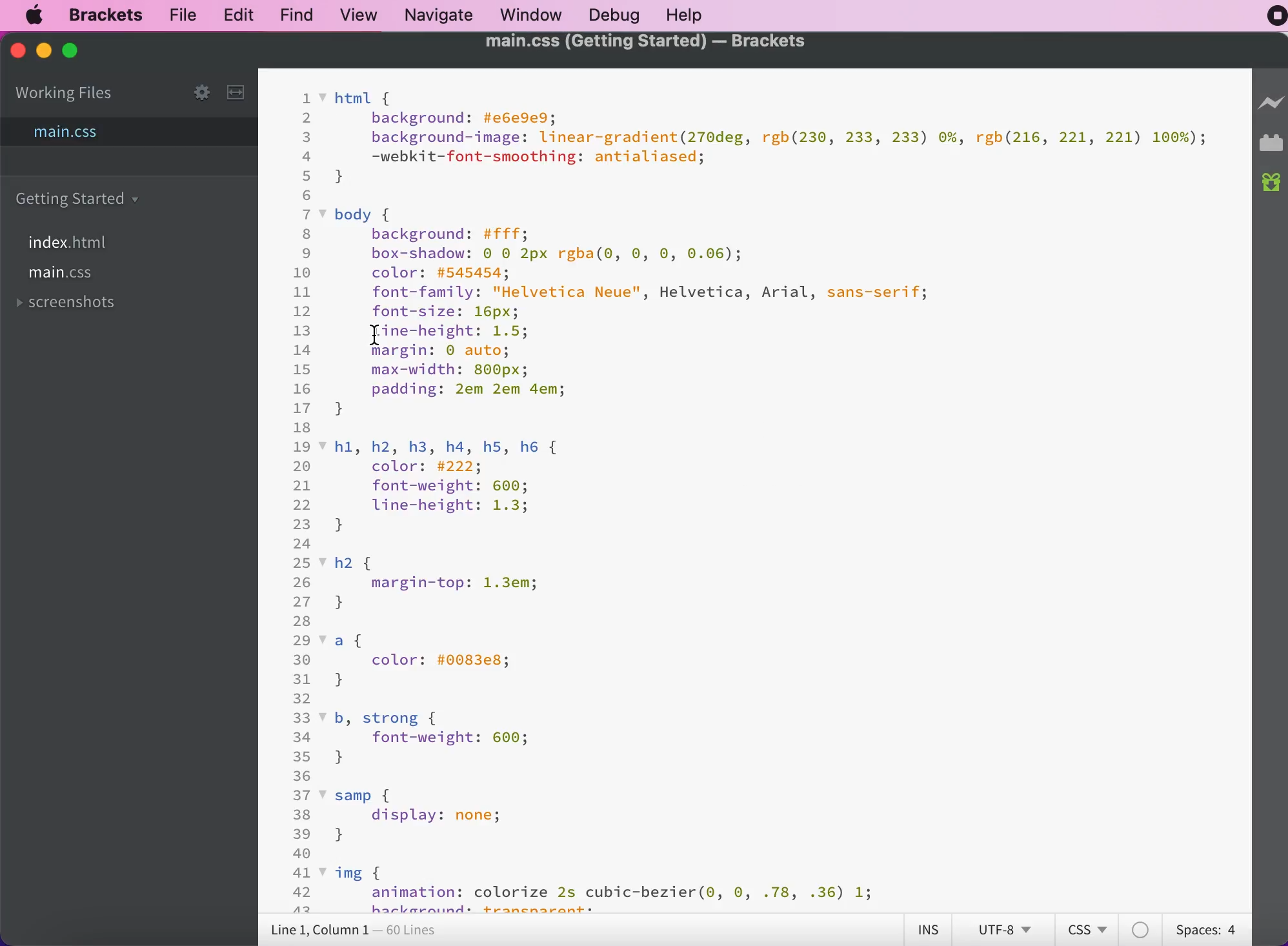  Describe the element at coordinates (620, 15) in the screenshot. I see `debug` at that location.